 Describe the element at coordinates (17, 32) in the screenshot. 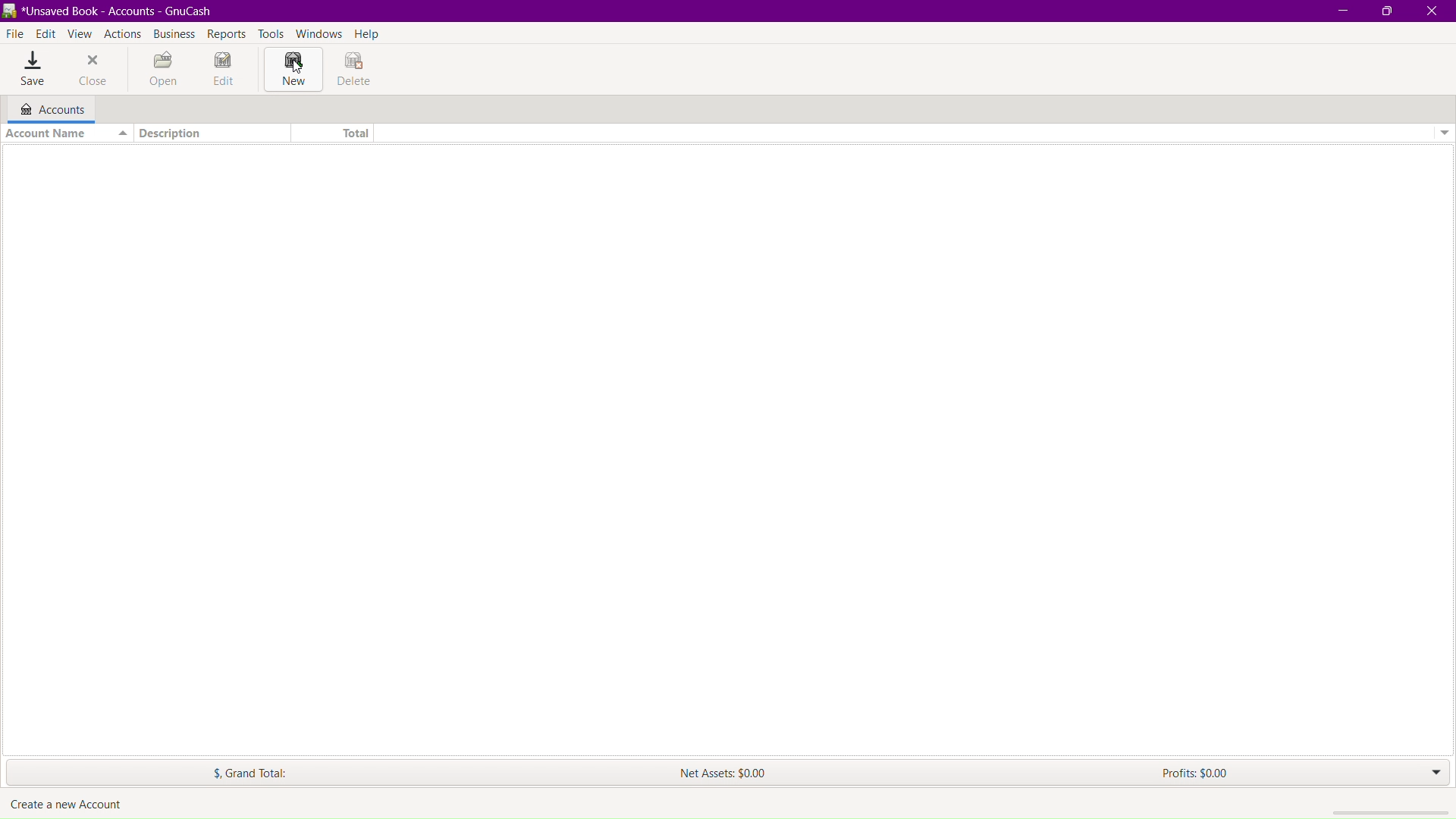

I see `File` at that location.